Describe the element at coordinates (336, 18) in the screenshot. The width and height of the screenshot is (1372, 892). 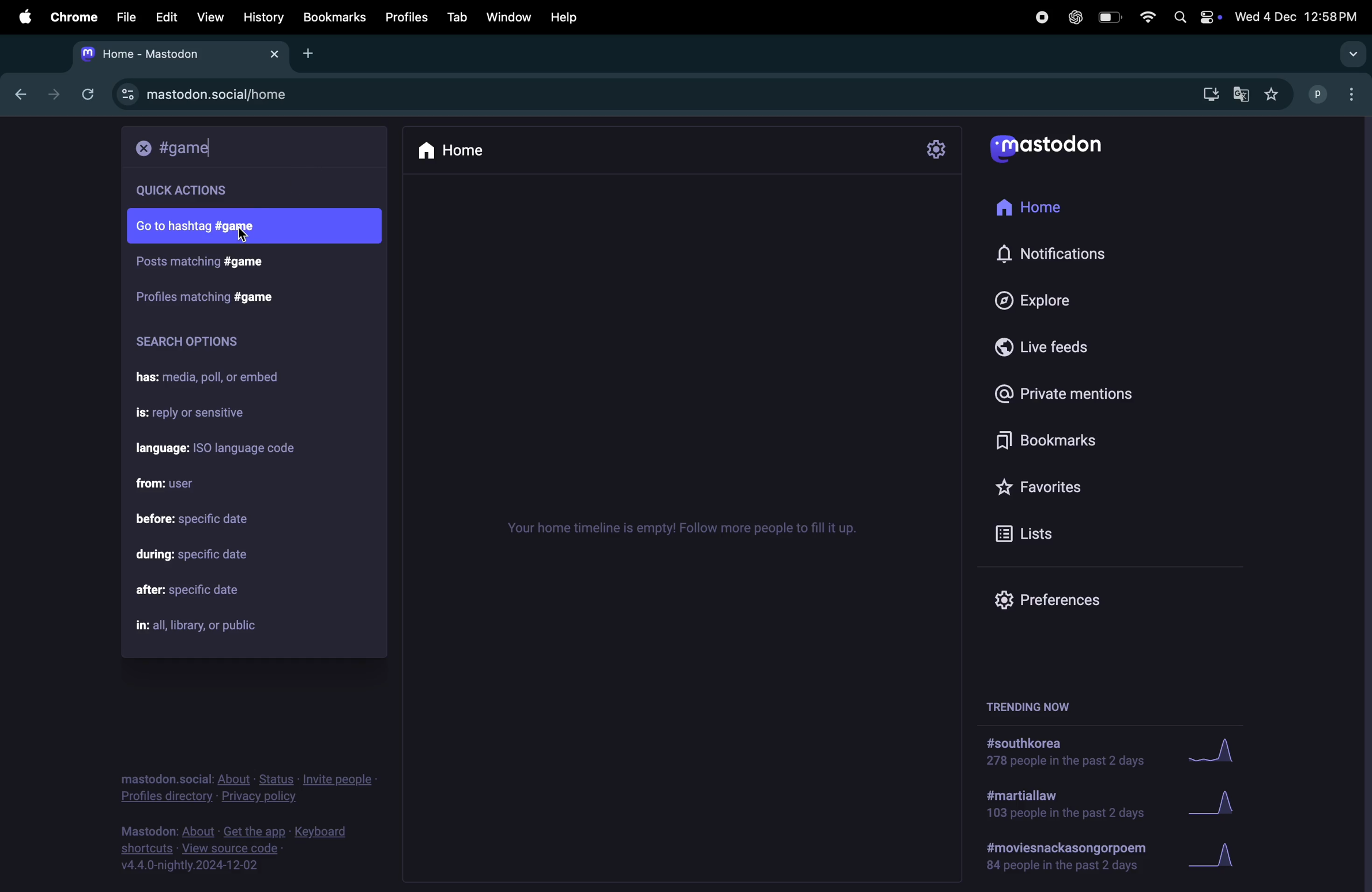
I see `Bookmark` at that location.